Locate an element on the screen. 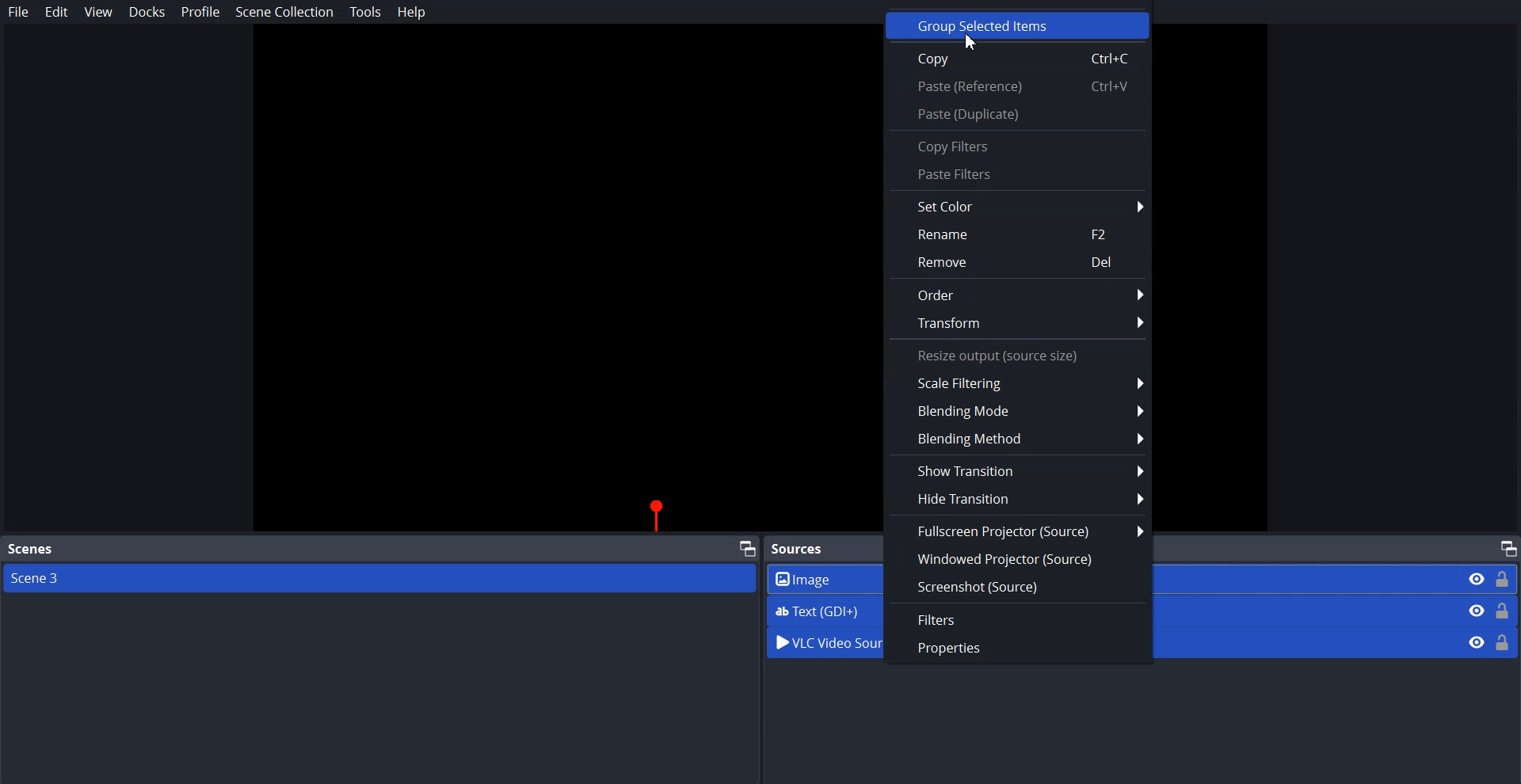 This screenshot has height=784, width=1521. Remove is located at coordinates (1018, 262).